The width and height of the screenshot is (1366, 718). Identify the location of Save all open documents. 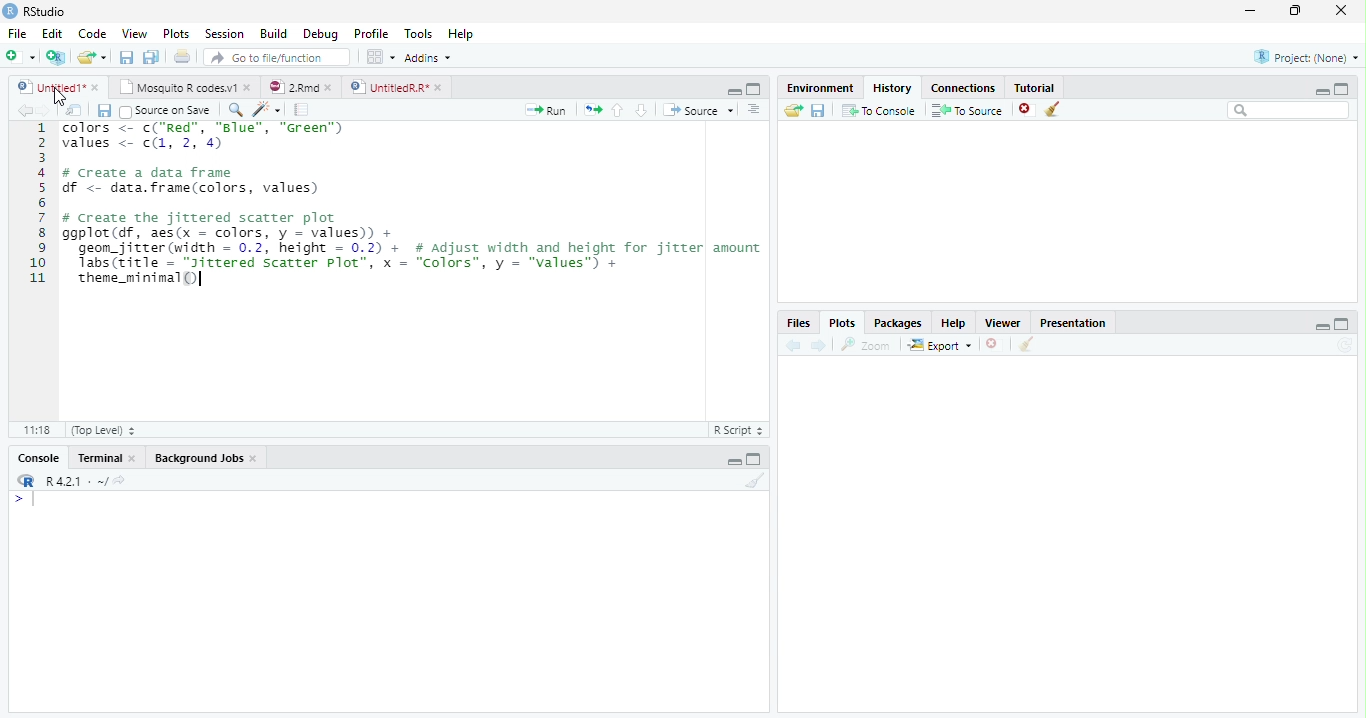
(152, 57).